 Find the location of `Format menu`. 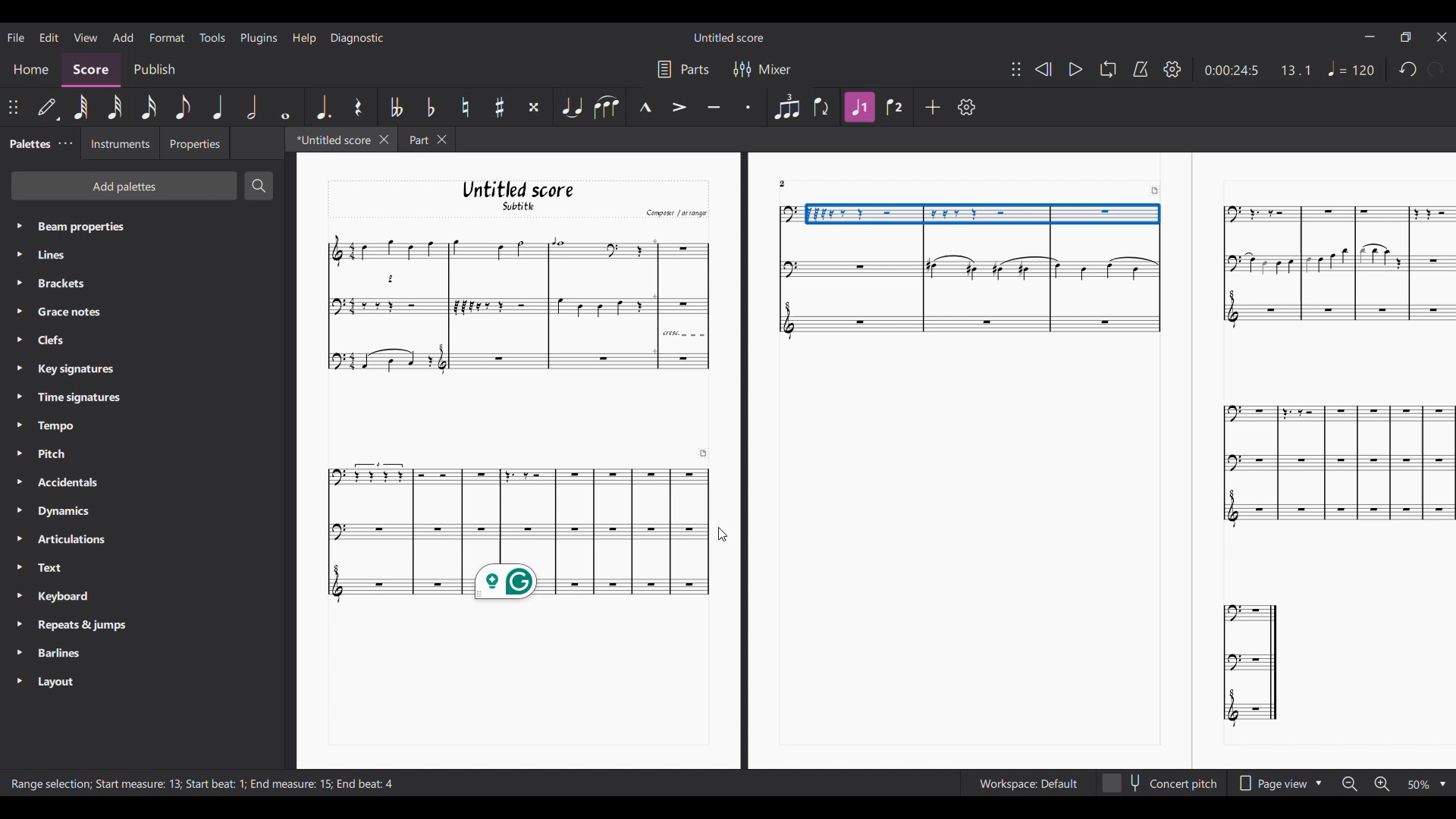

Format menu is located at coordinates (167, 38).